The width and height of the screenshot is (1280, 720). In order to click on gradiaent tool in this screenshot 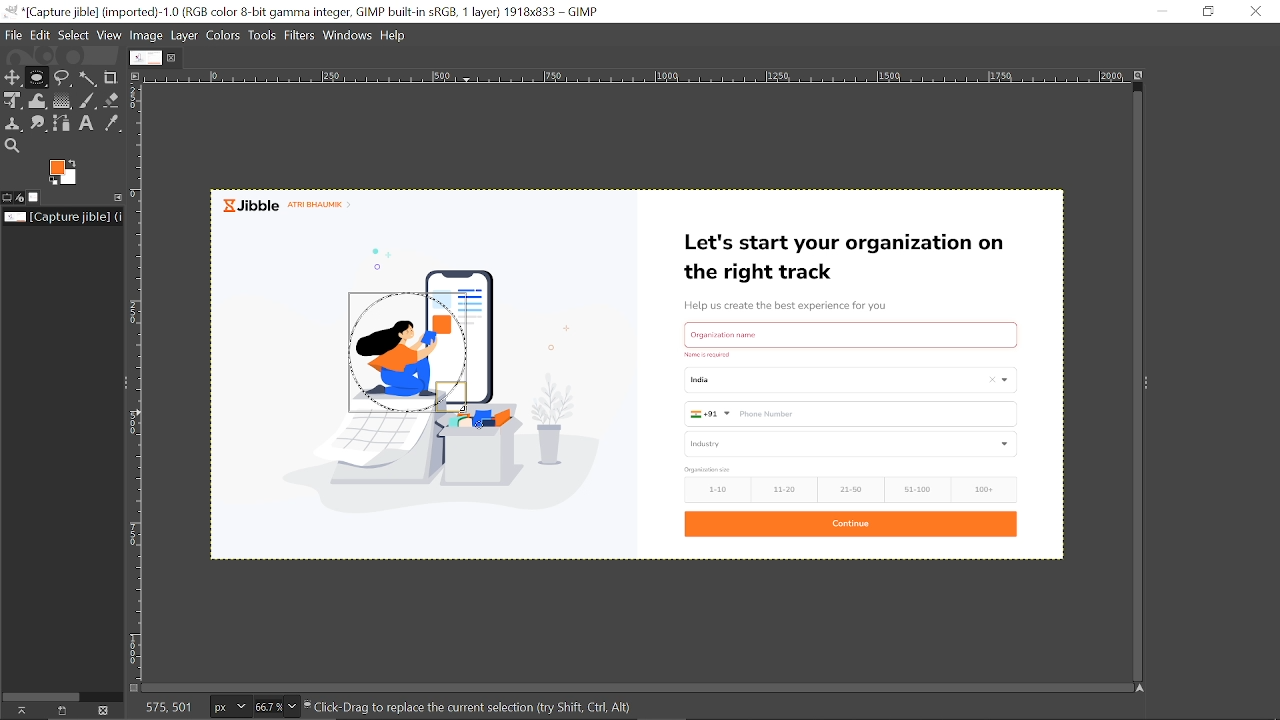, I will do `click(61, 100)`.